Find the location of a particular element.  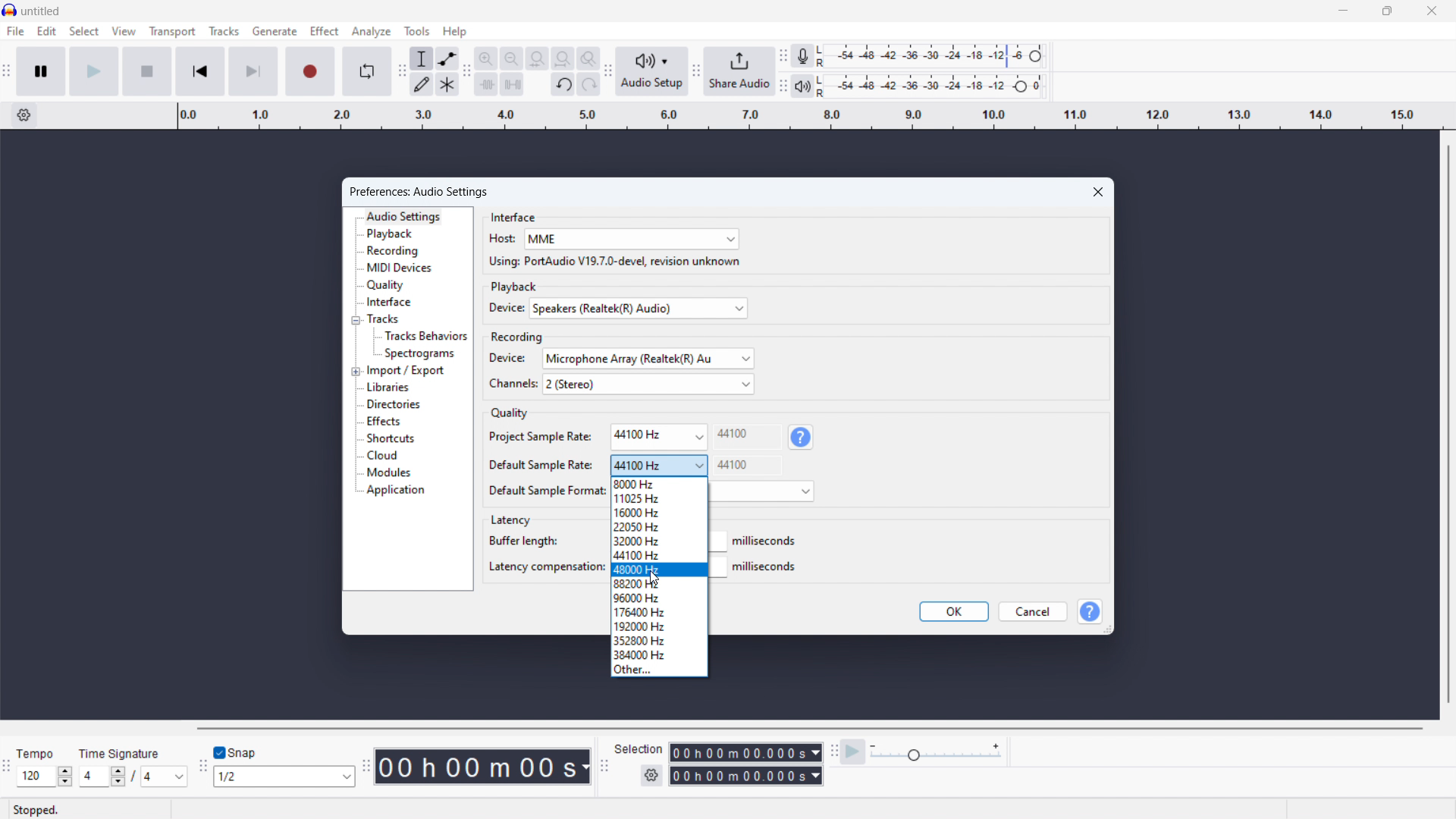

edit toolbar is located at coordinates (466, 74).